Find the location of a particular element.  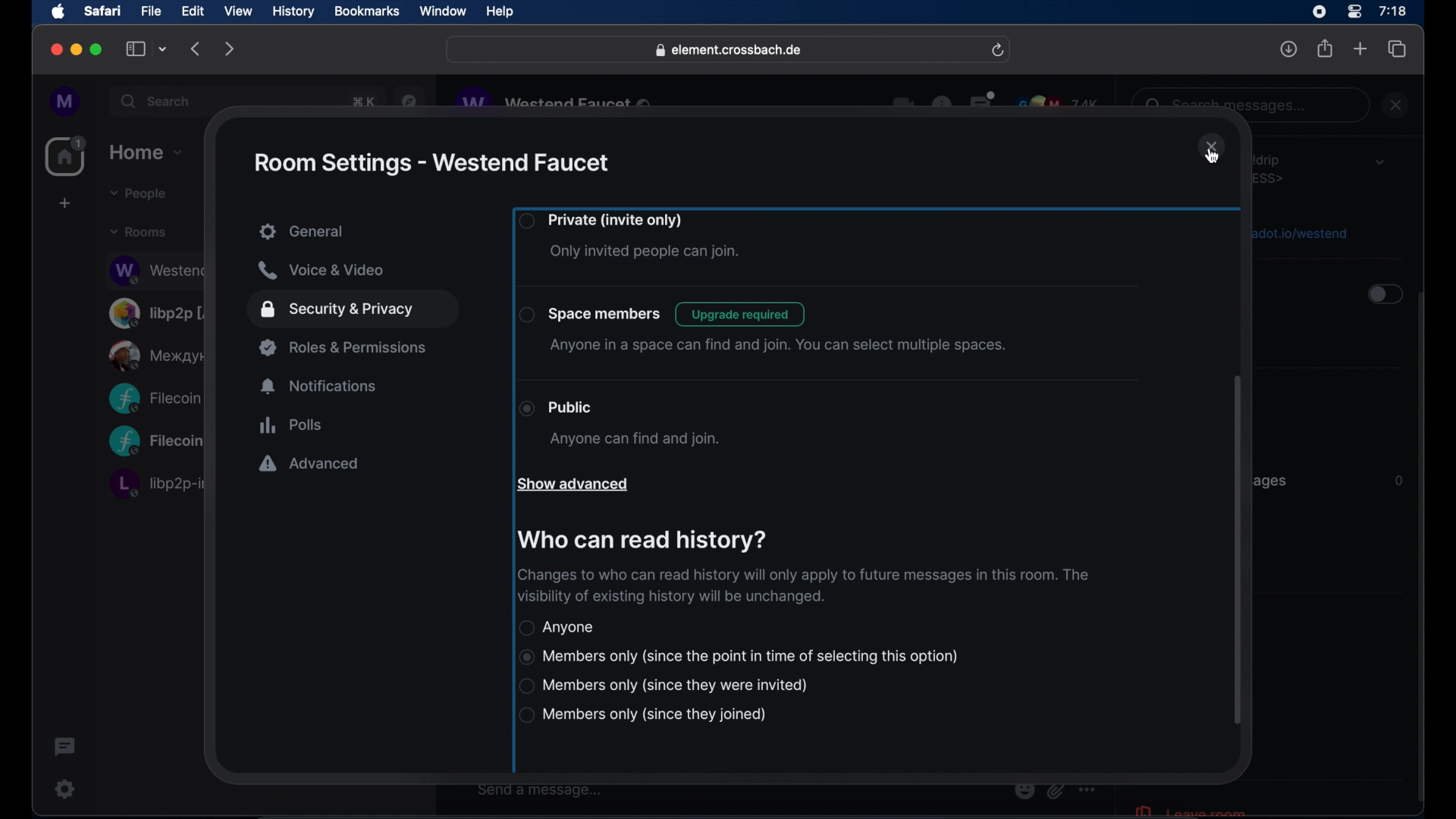

notifications is located at coordinates (320, 387).